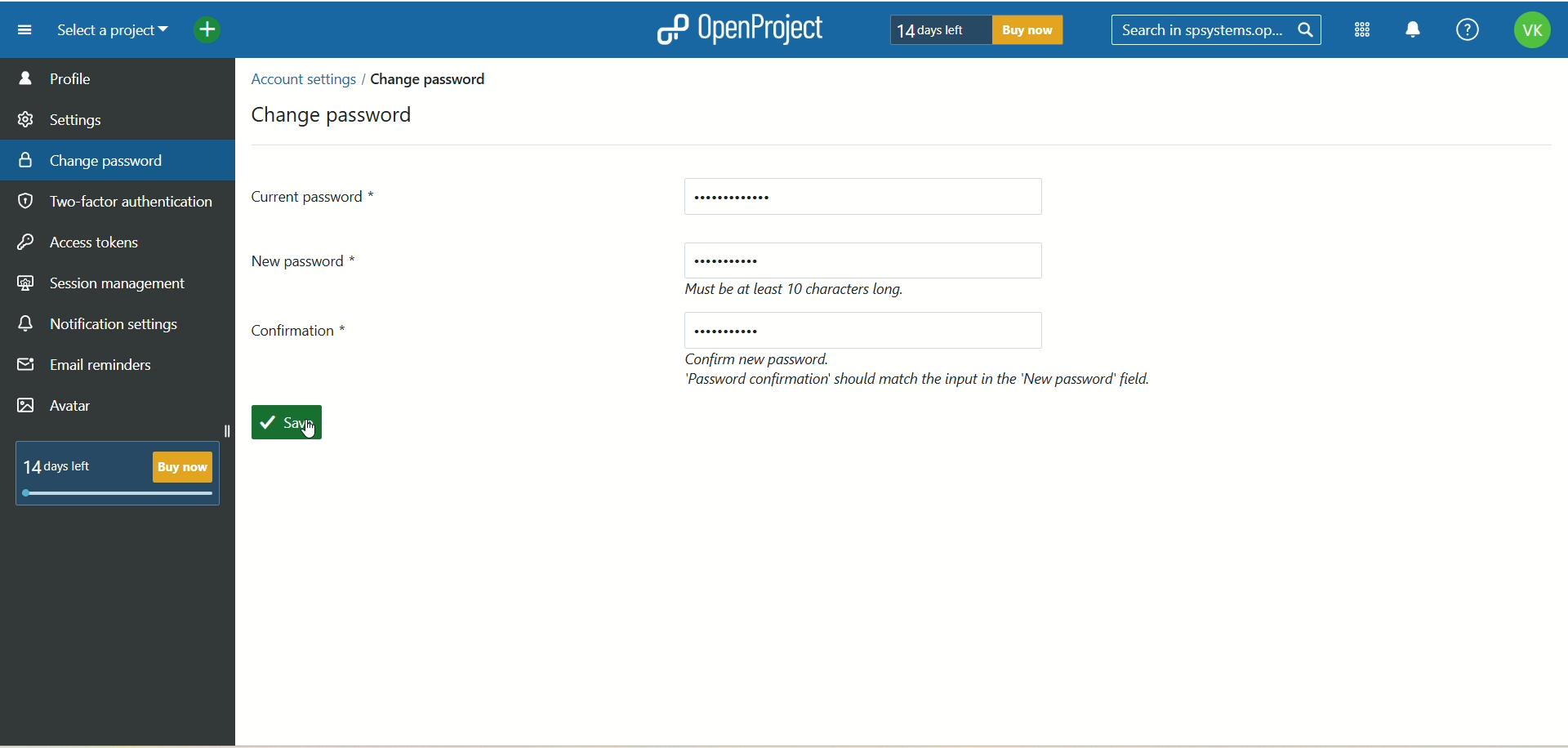  I want to click on settings, so click(61, 117).